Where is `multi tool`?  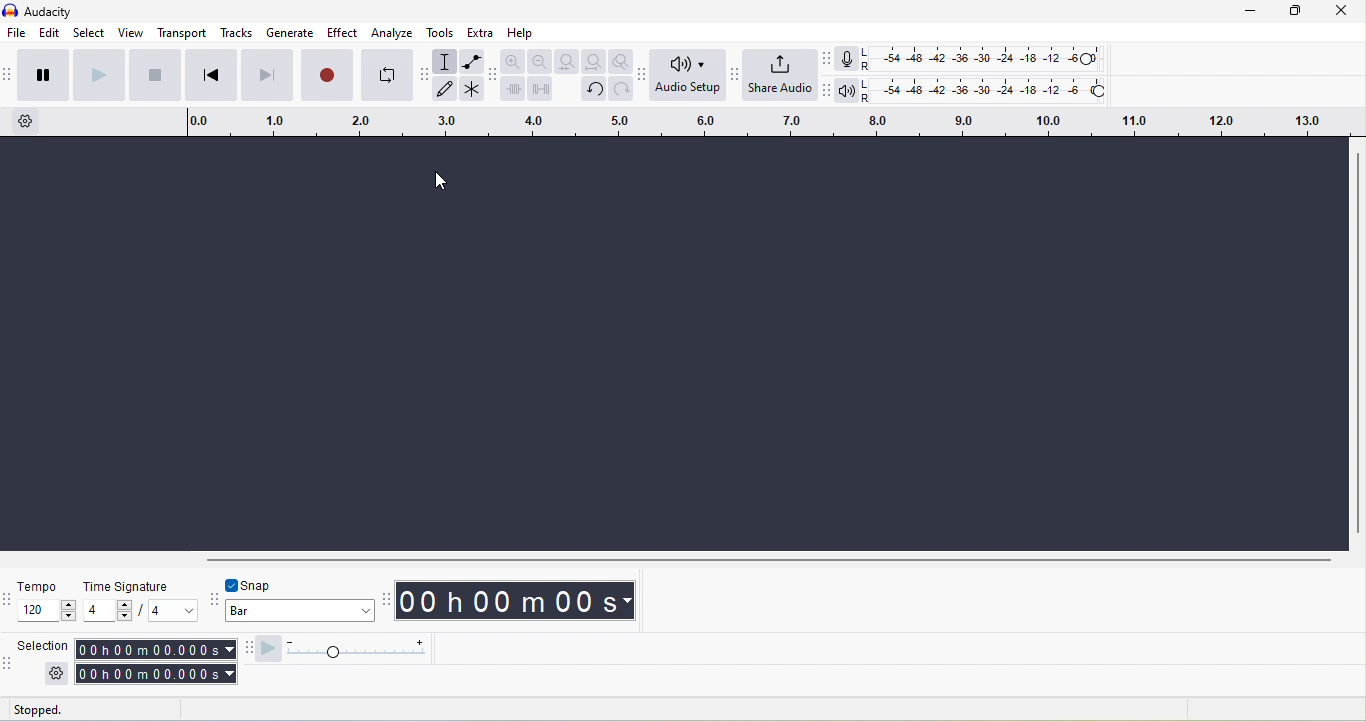
multi tool is located at coordinates (473, 88).